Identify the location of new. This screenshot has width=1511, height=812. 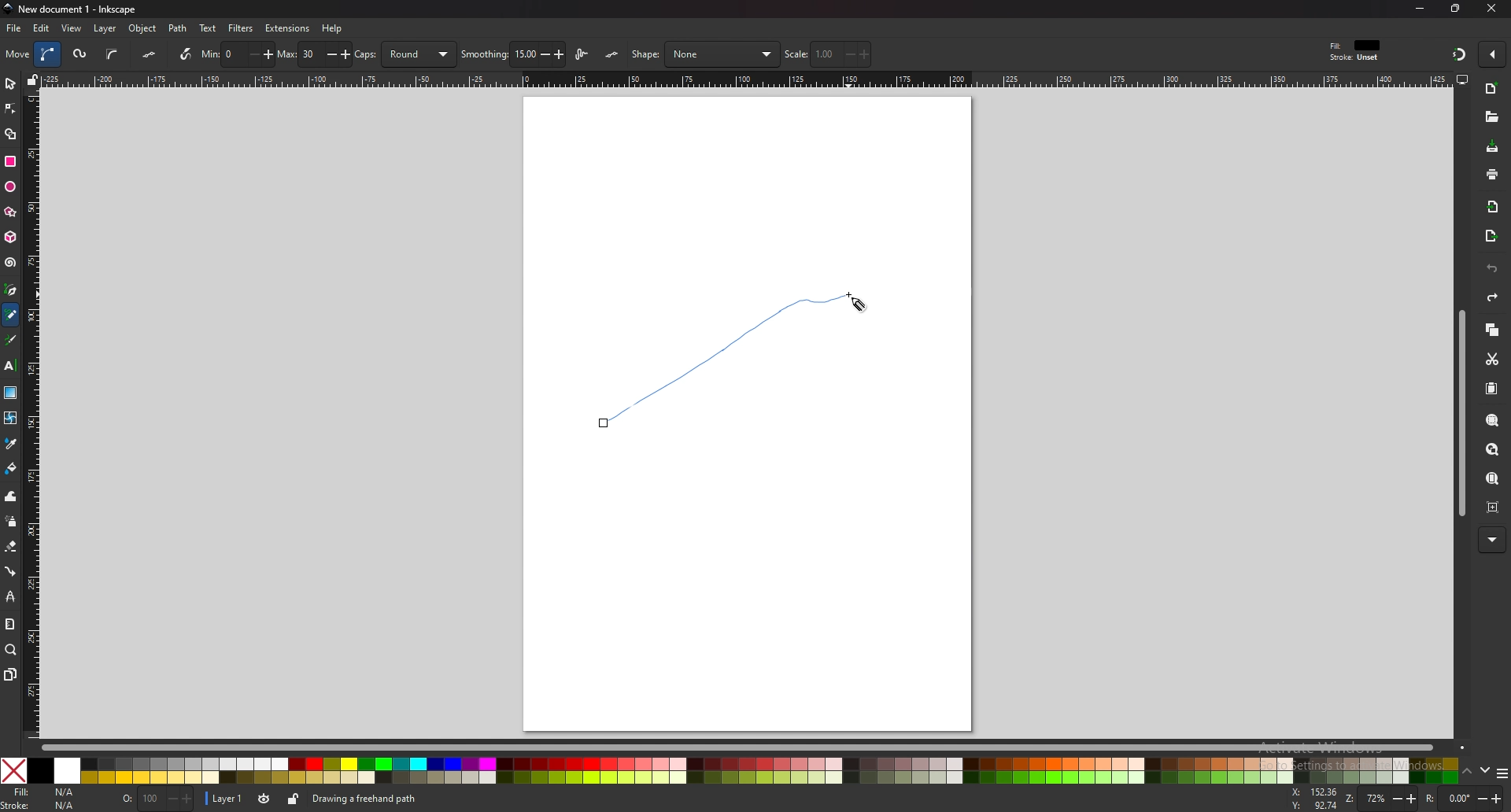
(1492, 90).